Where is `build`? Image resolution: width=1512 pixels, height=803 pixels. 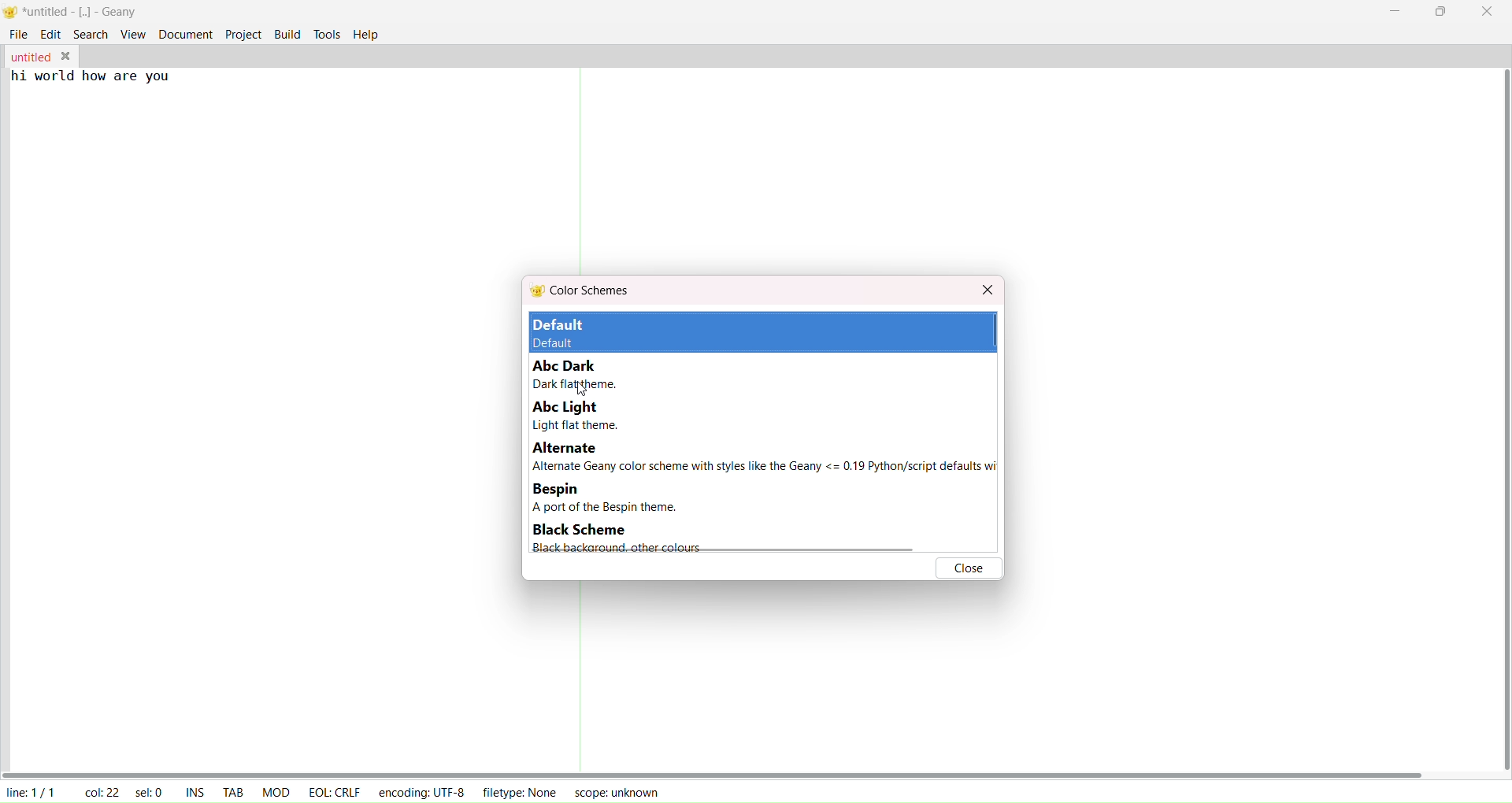 build is located at coordinates (289, 33).